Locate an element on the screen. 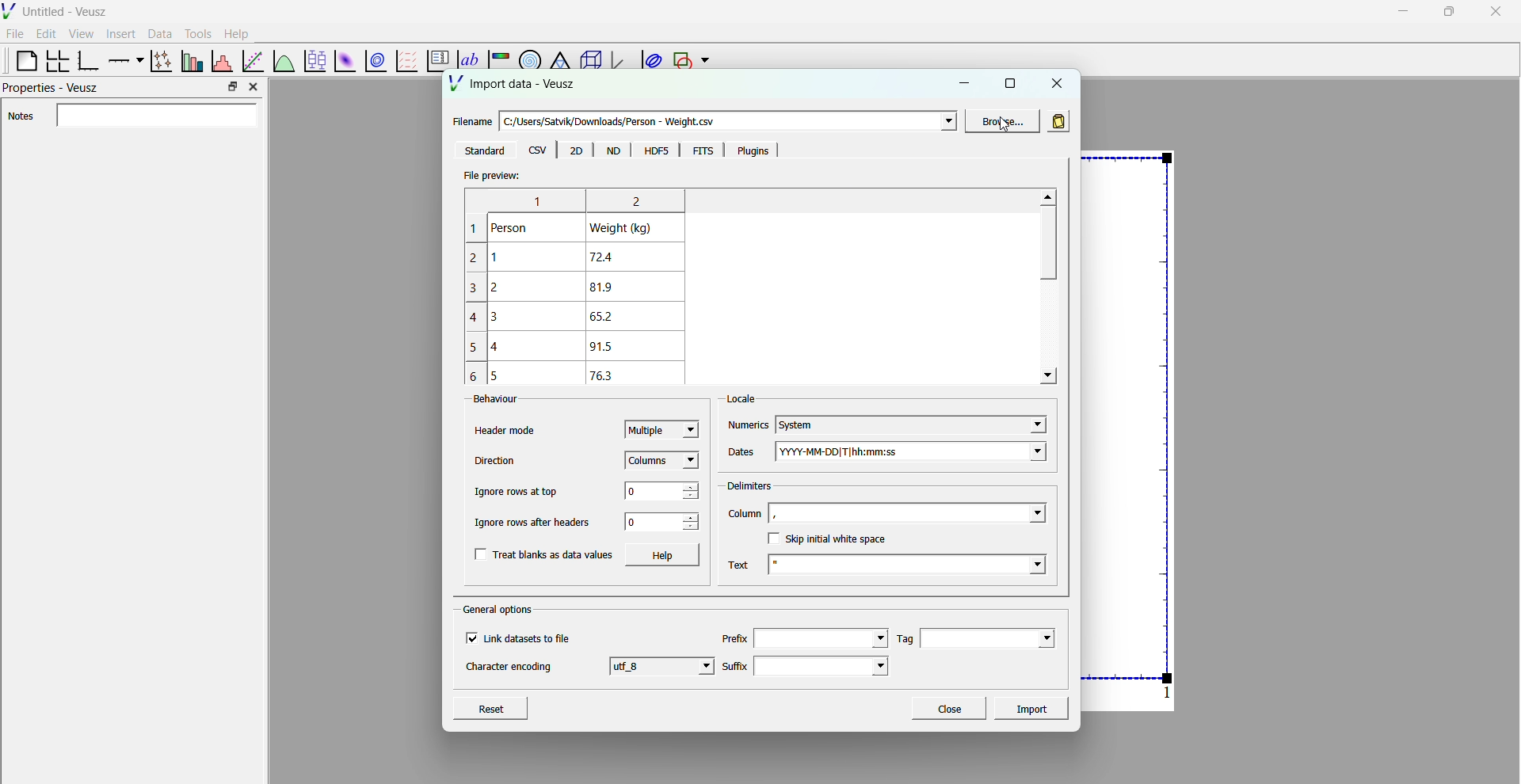 The image size is (1521, 784). plot covariance ellipses is located at coordinates (650, 60).